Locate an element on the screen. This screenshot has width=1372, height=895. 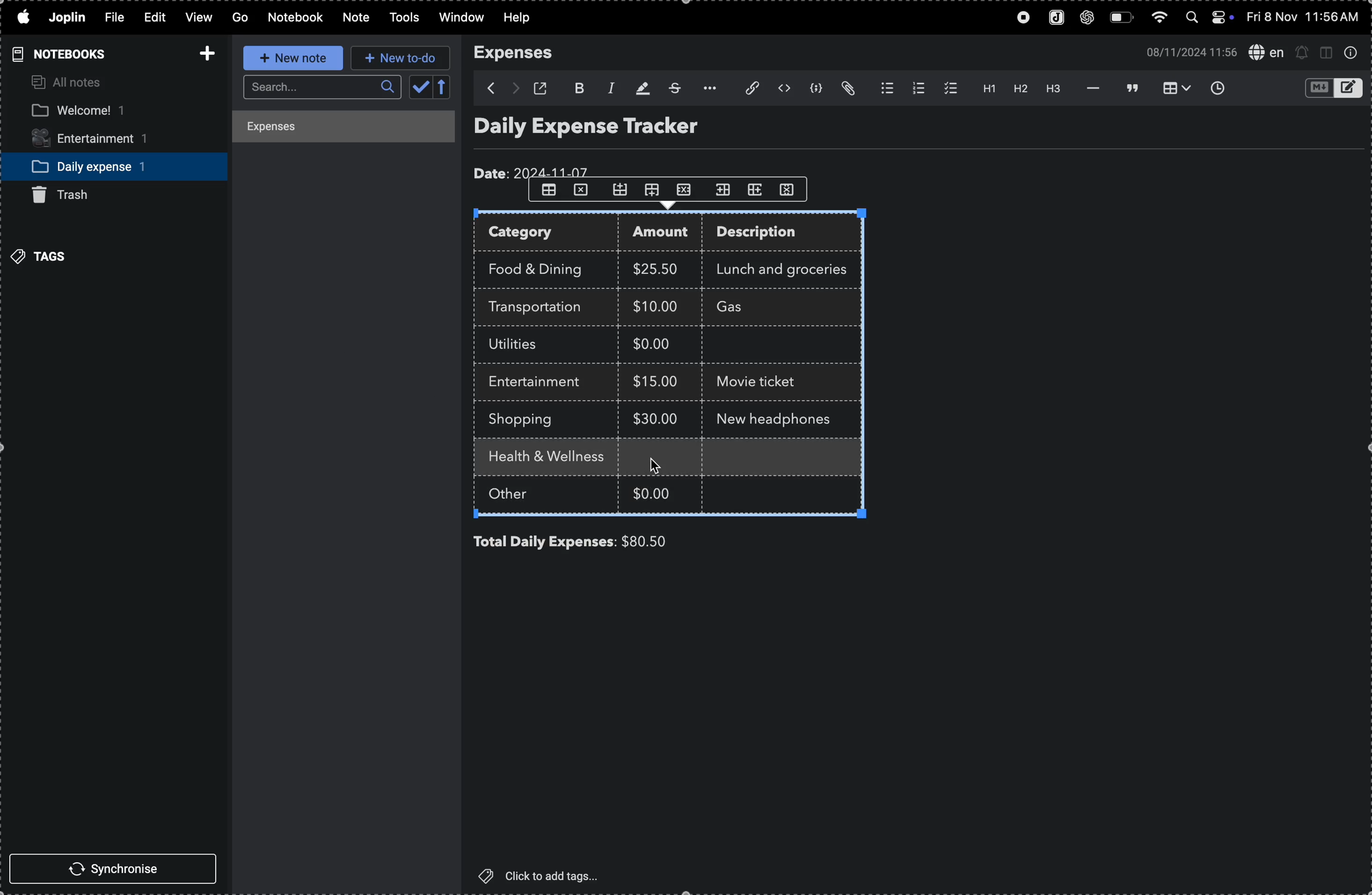
record is located at coordinates (1019, 18).